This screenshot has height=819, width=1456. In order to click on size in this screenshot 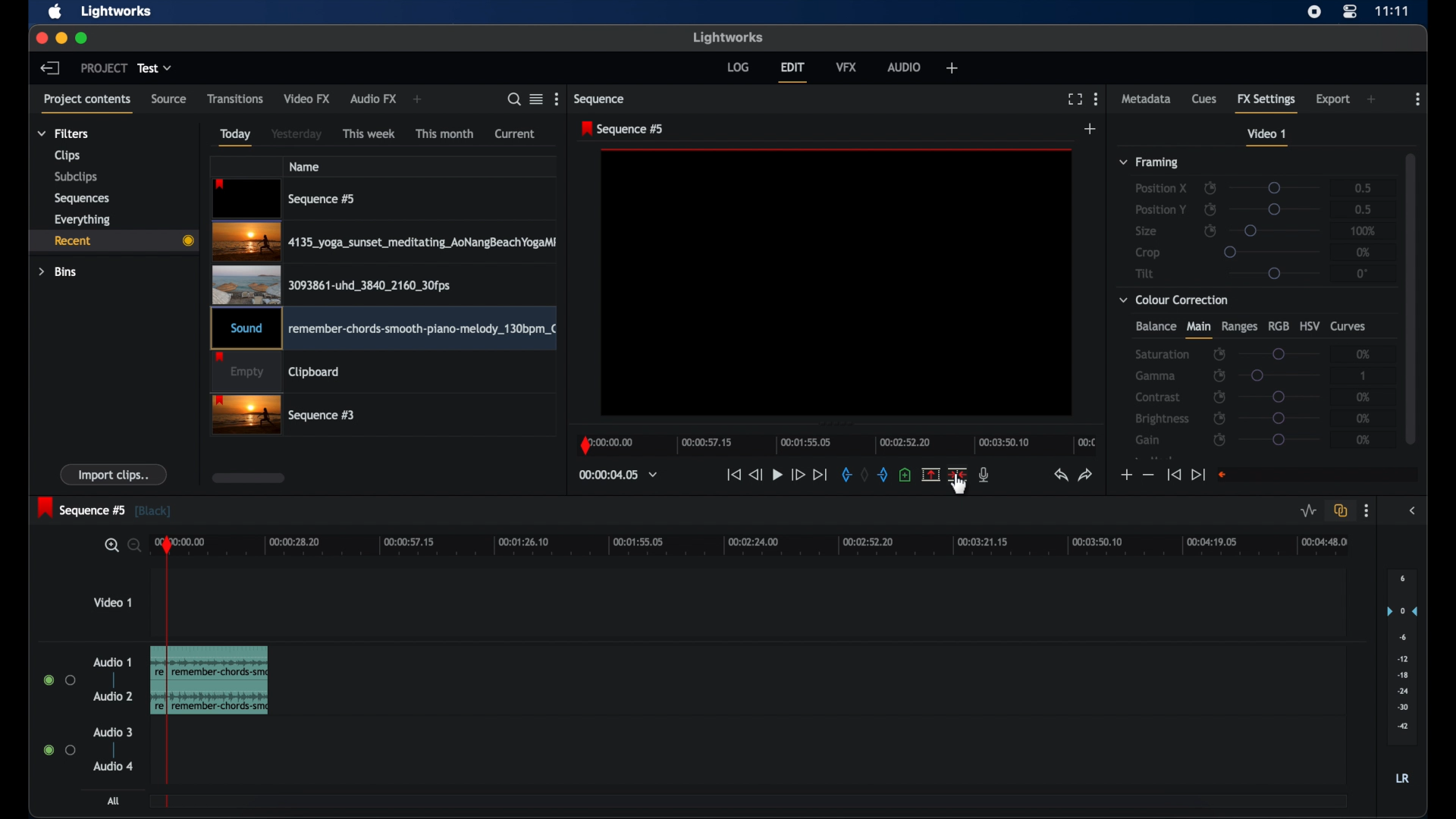, I will do `click(1146, 231)`.